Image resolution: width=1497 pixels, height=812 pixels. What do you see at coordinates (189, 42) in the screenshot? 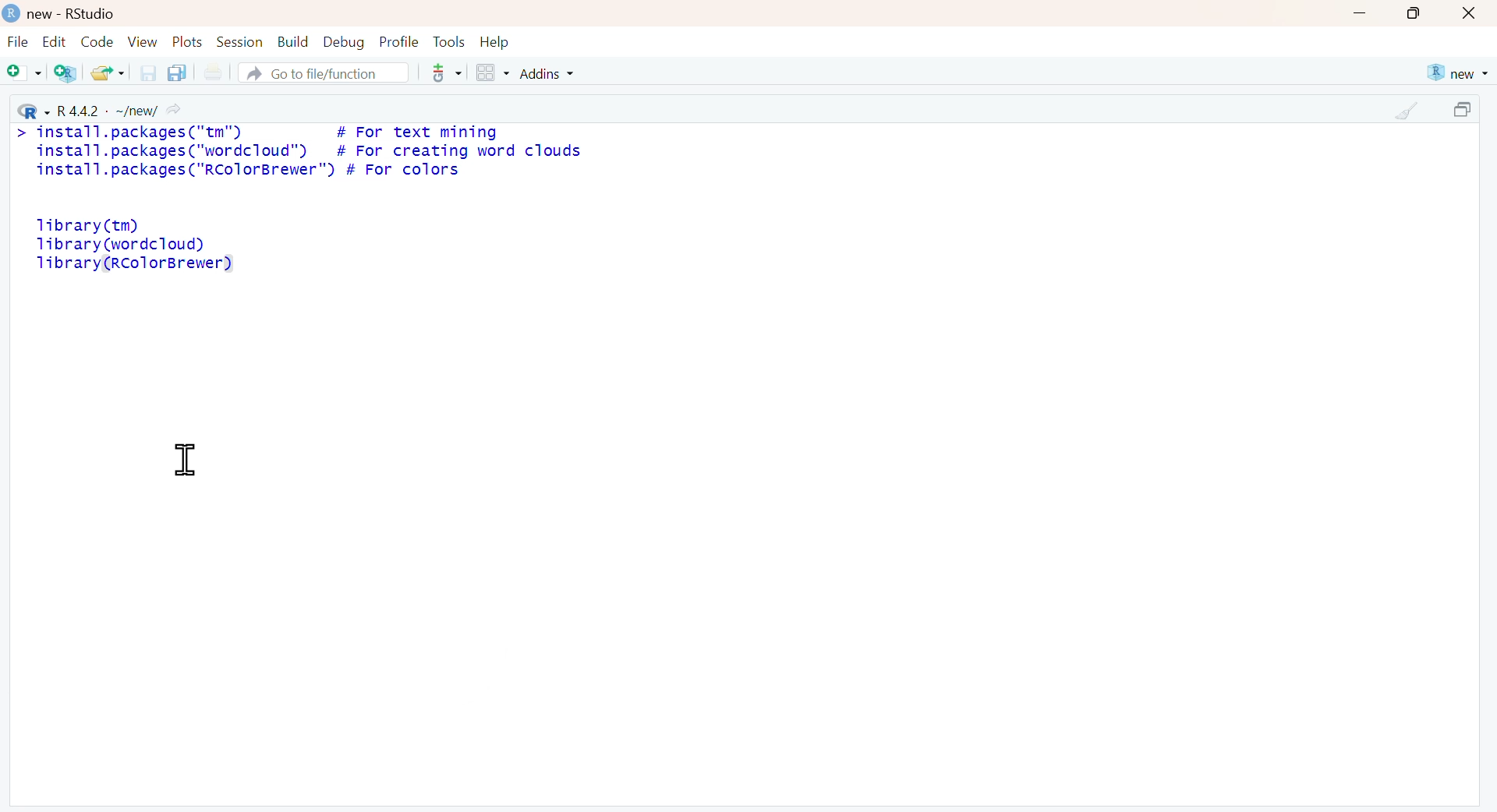
I see `Plots` at bounding box center [189, 42].